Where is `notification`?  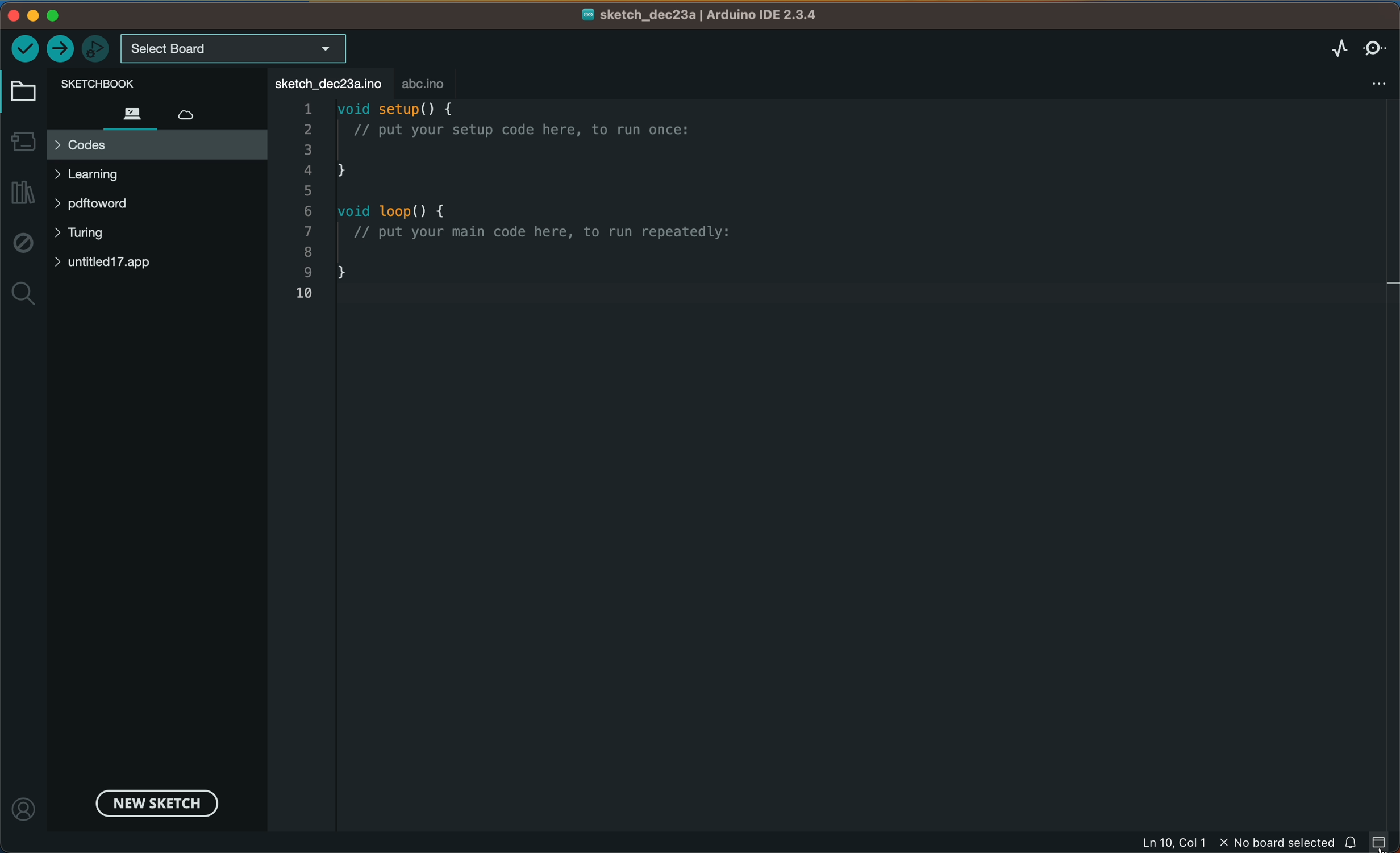
notification is located at coordinates (1349, 842).